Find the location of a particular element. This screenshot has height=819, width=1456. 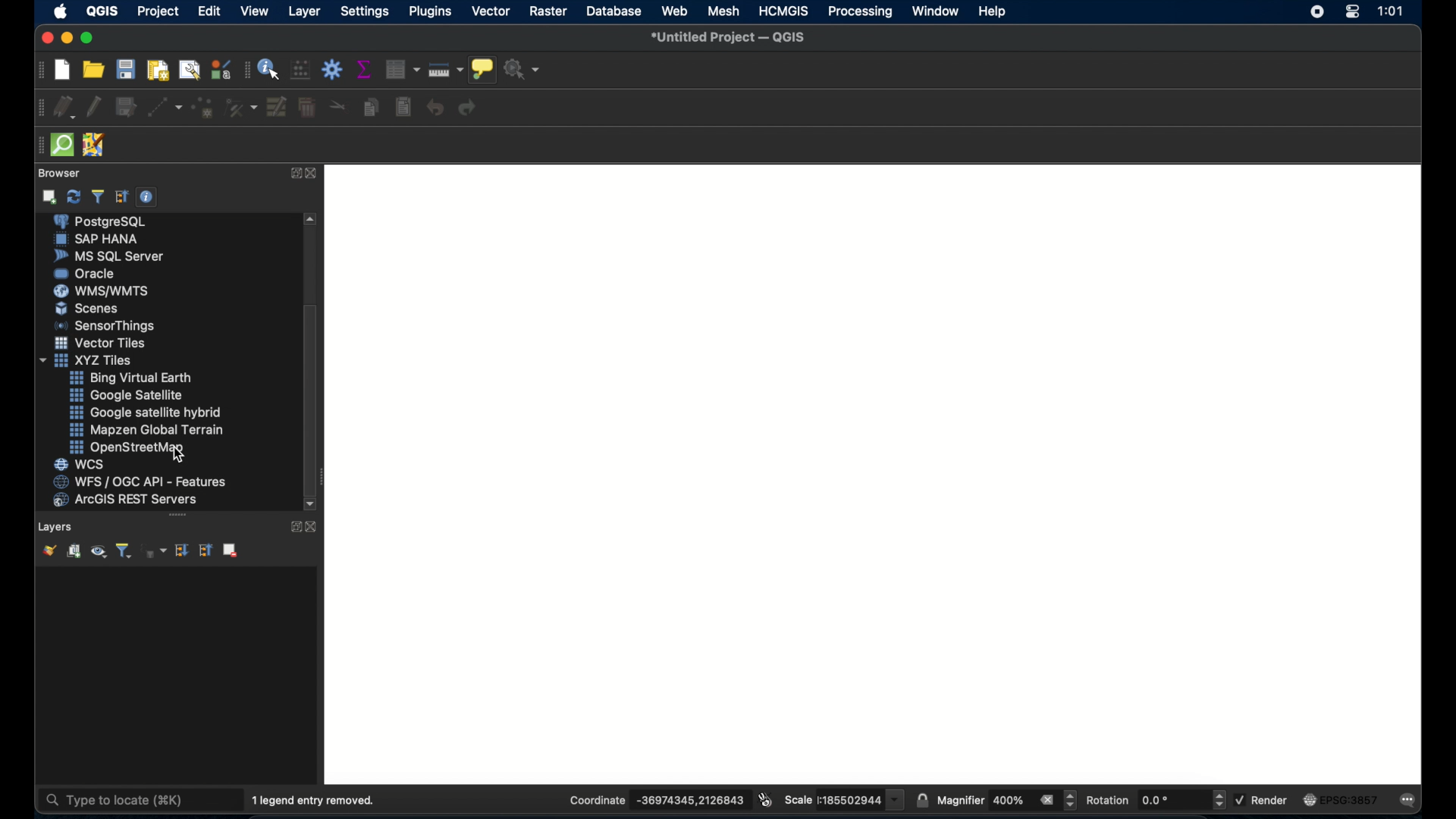

window is located at coordinates (934, 11).